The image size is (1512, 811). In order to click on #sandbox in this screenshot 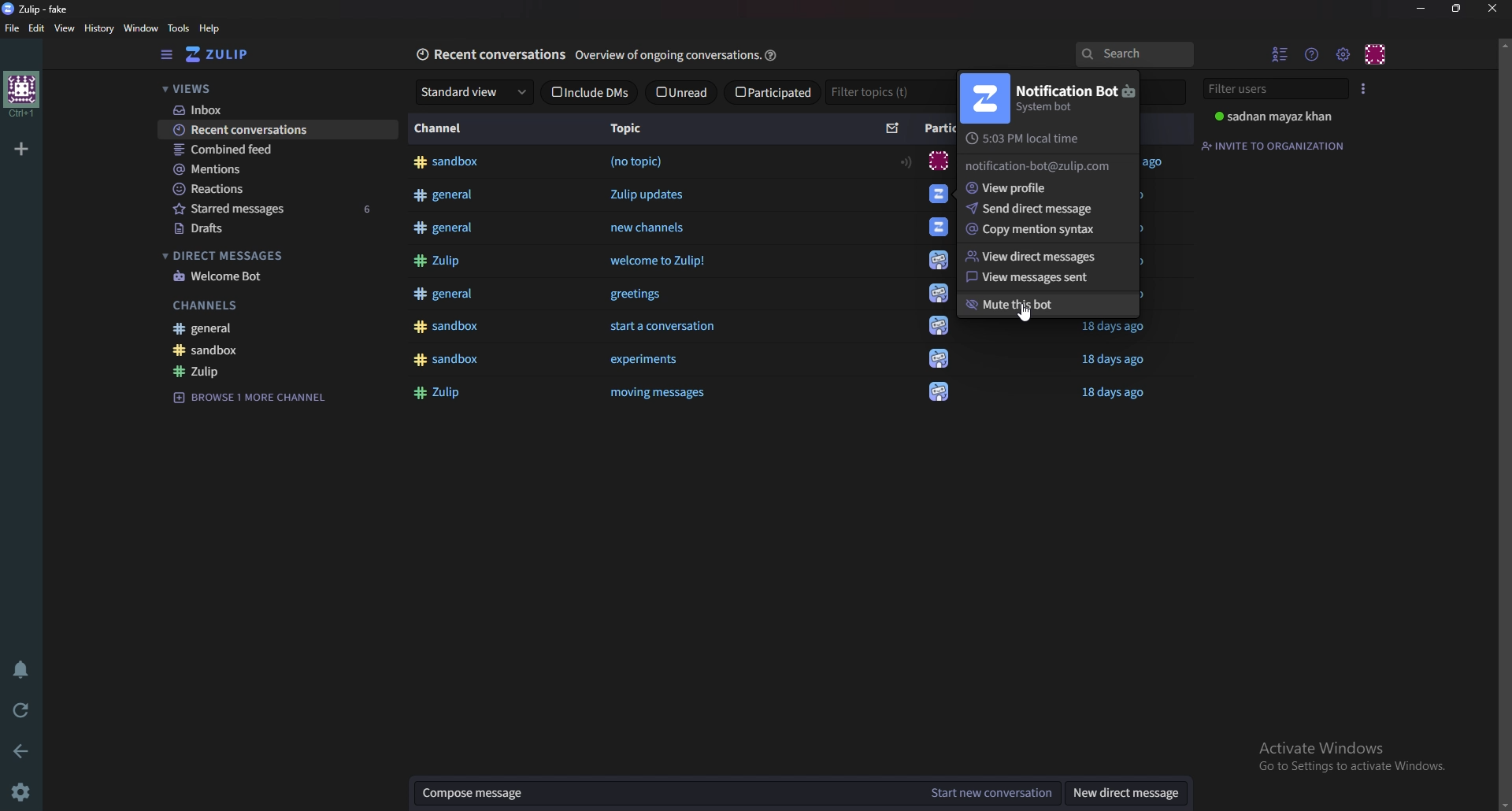, I will do `click(446, 359)`.